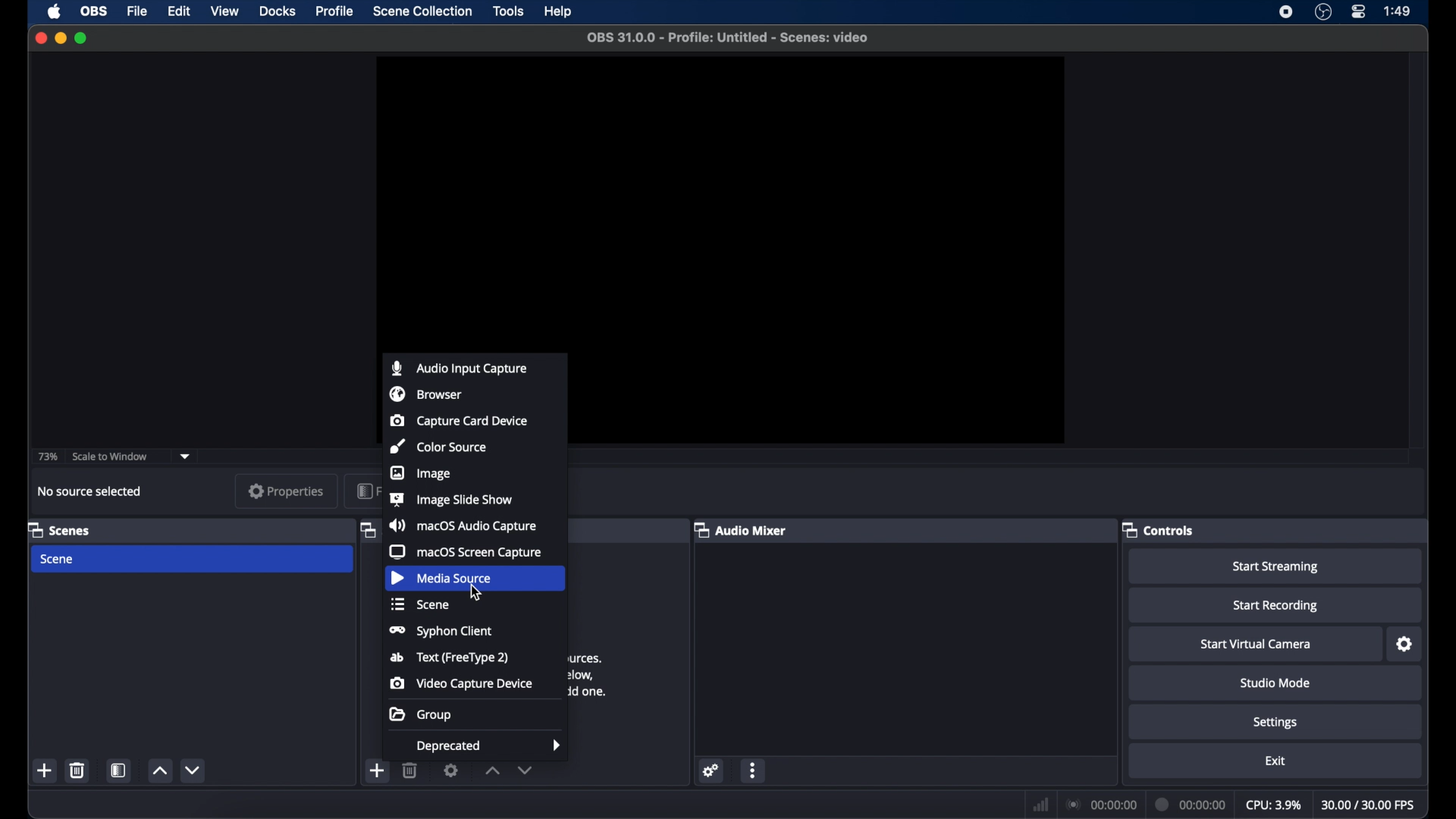 The width and height of the screenshot is (1456, 819). Describe the element at coordinates (54, 12) in the screenshot. I see `apple icon` at that location.